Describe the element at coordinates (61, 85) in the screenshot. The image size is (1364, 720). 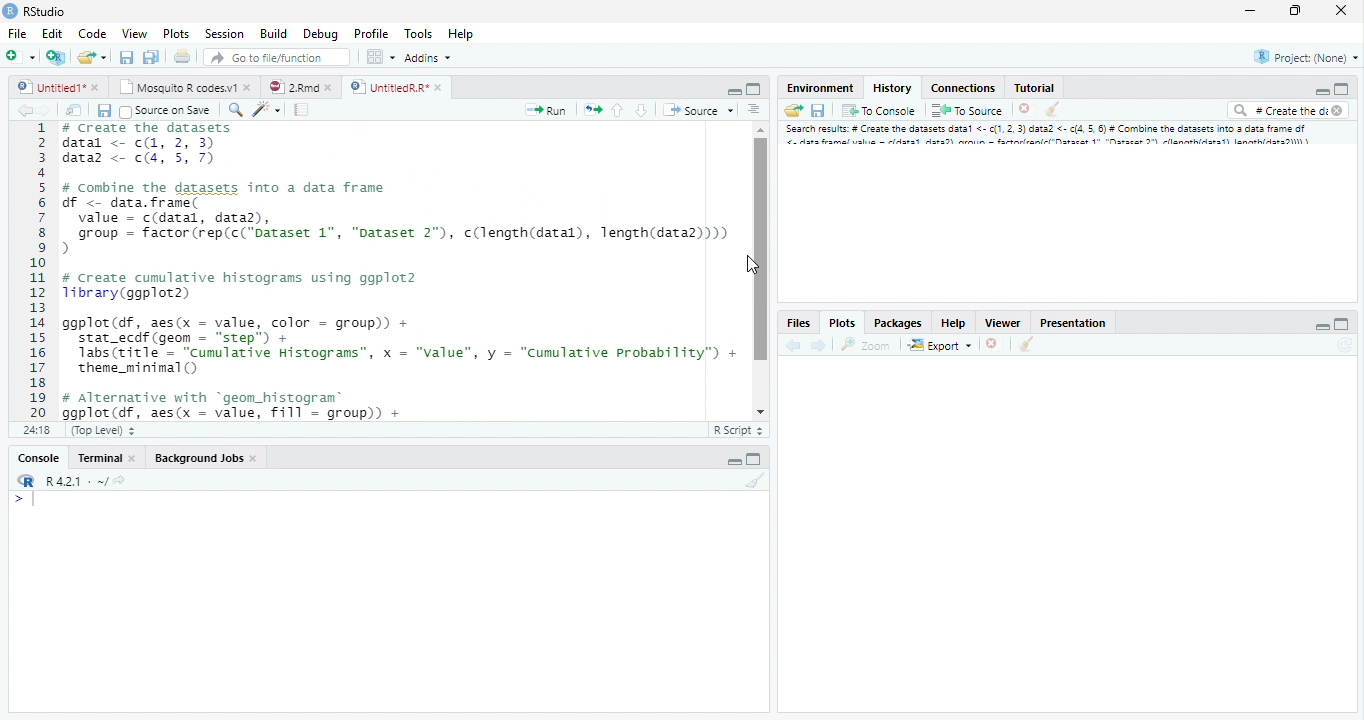
I see `Untitled` at that location.